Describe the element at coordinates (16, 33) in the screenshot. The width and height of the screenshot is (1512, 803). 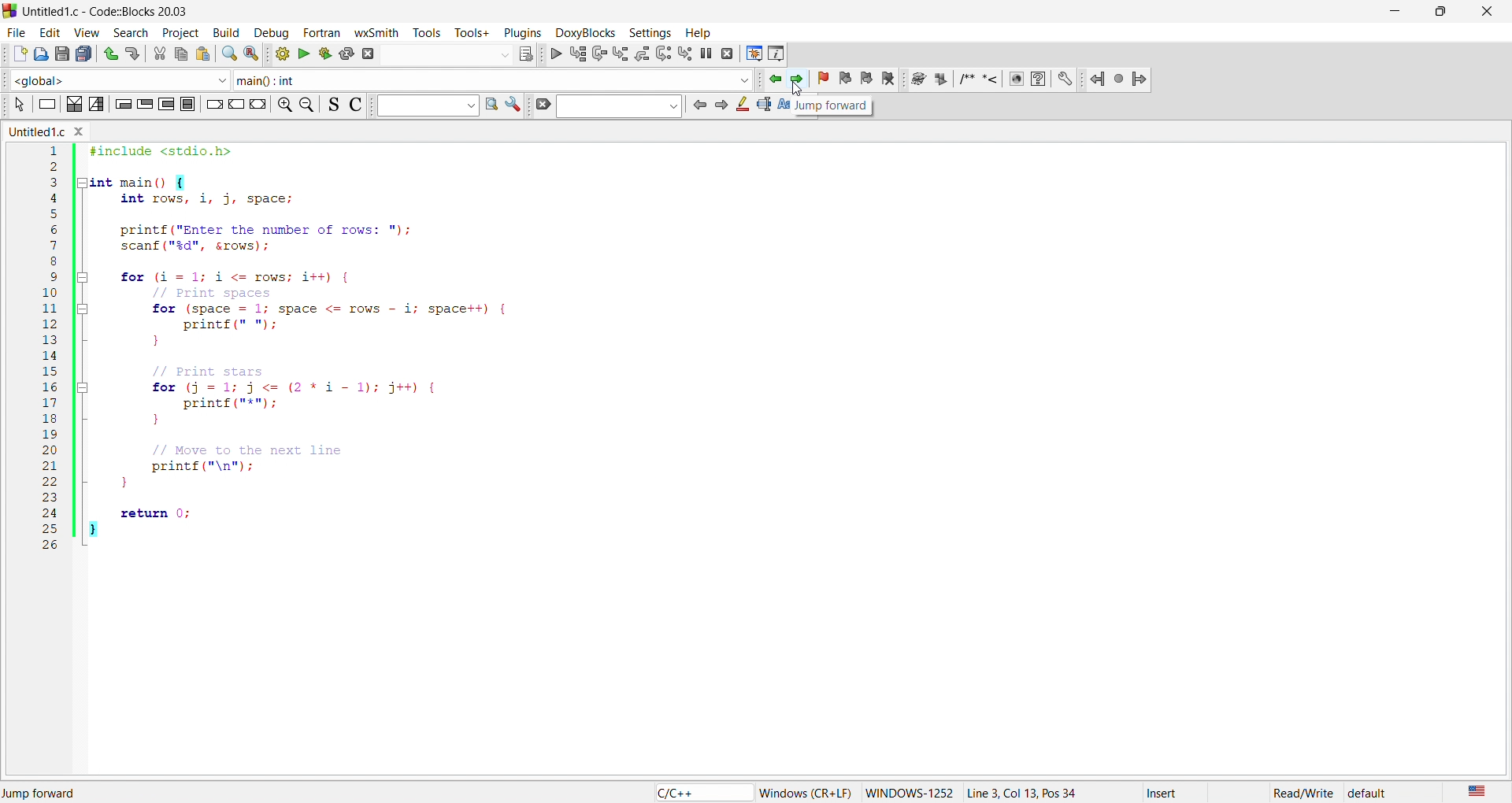
I see `file` at that location.